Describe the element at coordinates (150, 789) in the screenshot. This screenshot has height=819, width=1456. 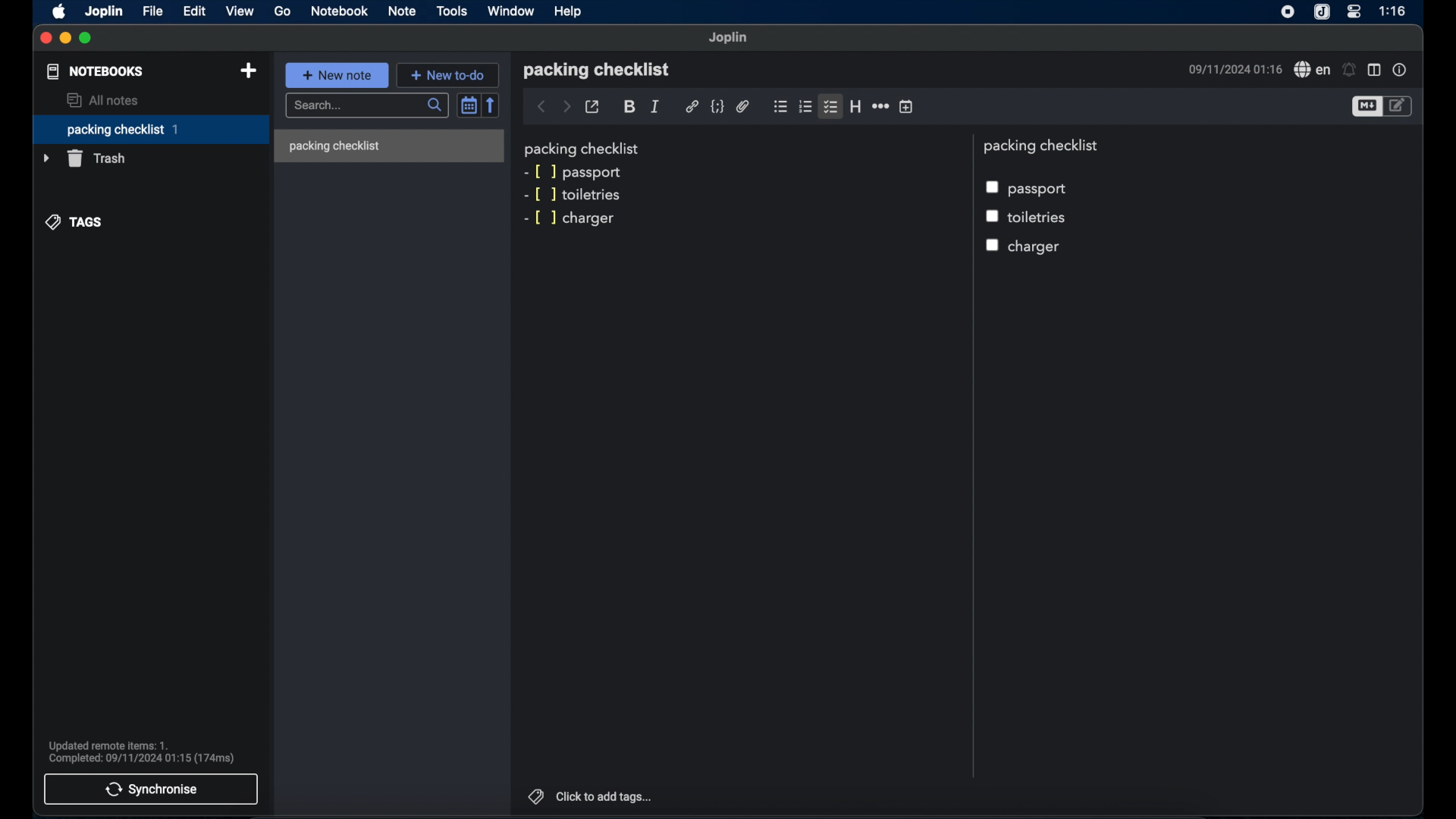
I see `synchronise` at that location.